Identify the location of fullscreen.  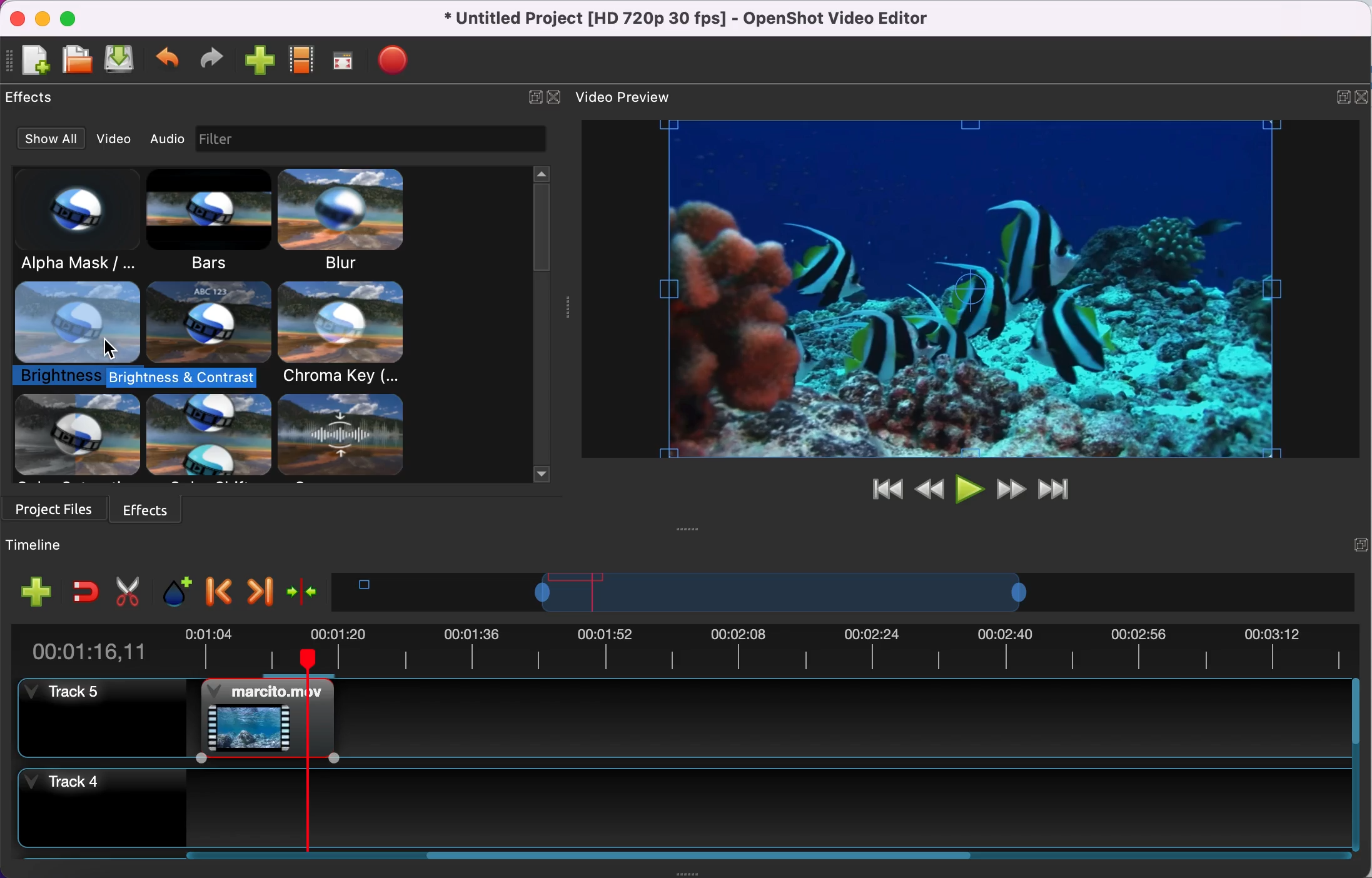
(341, 63).